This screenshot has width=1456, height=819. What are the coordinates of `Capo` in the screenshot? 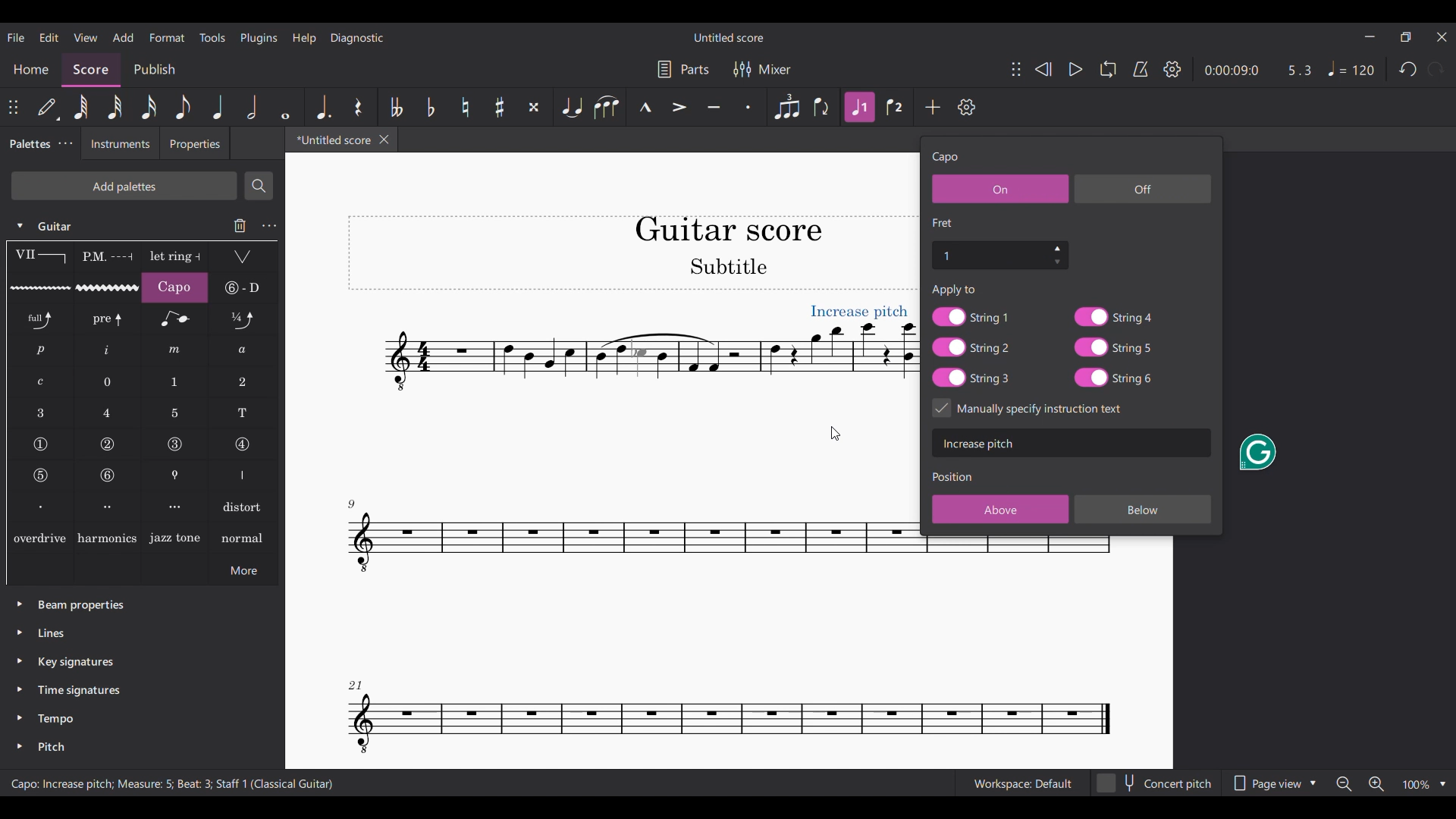 It's located at (174, 287).